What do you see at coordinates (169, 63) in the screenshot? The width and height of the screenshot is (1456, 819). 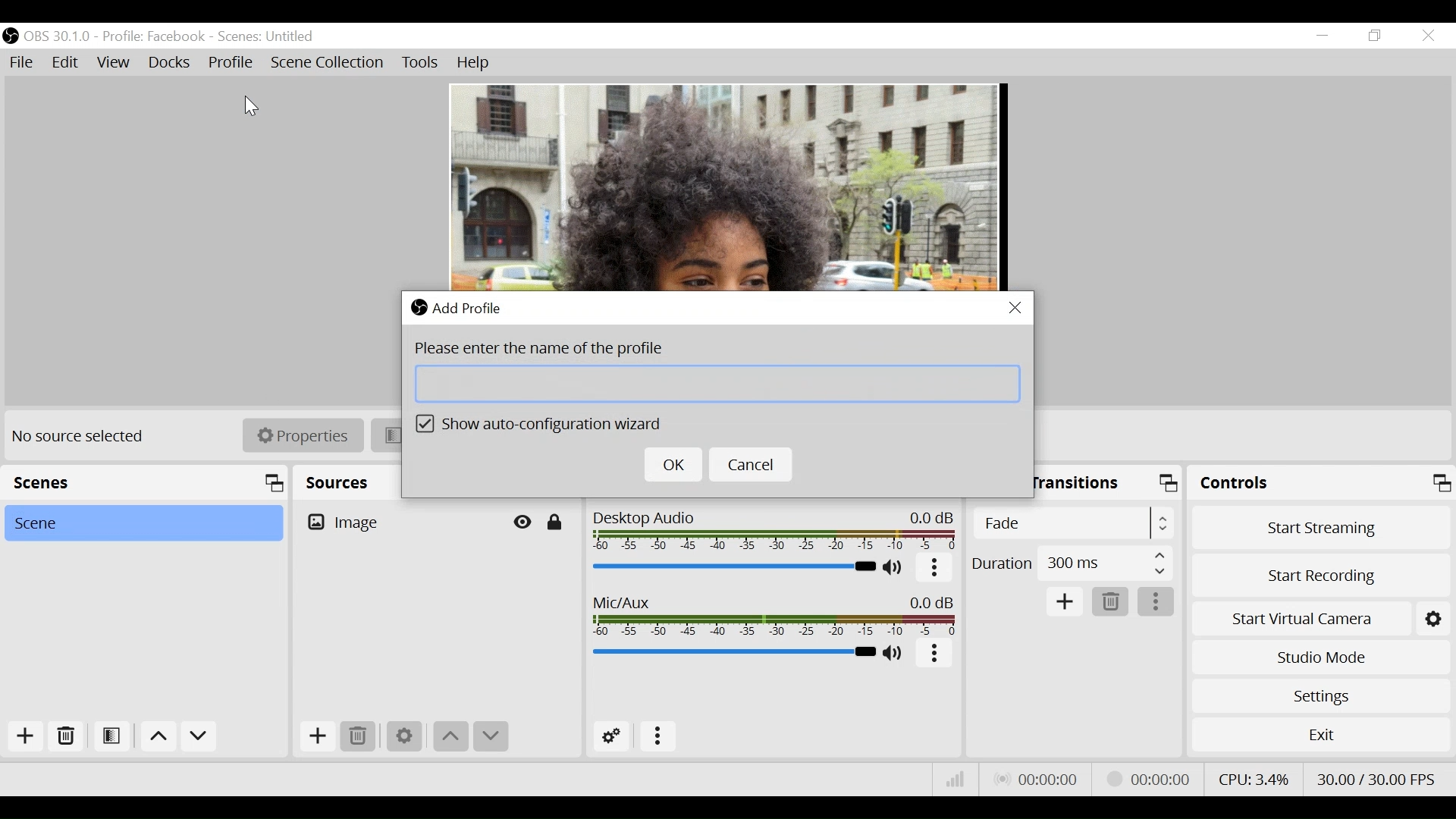 I see `Docks` at bounding box center [169, 63].